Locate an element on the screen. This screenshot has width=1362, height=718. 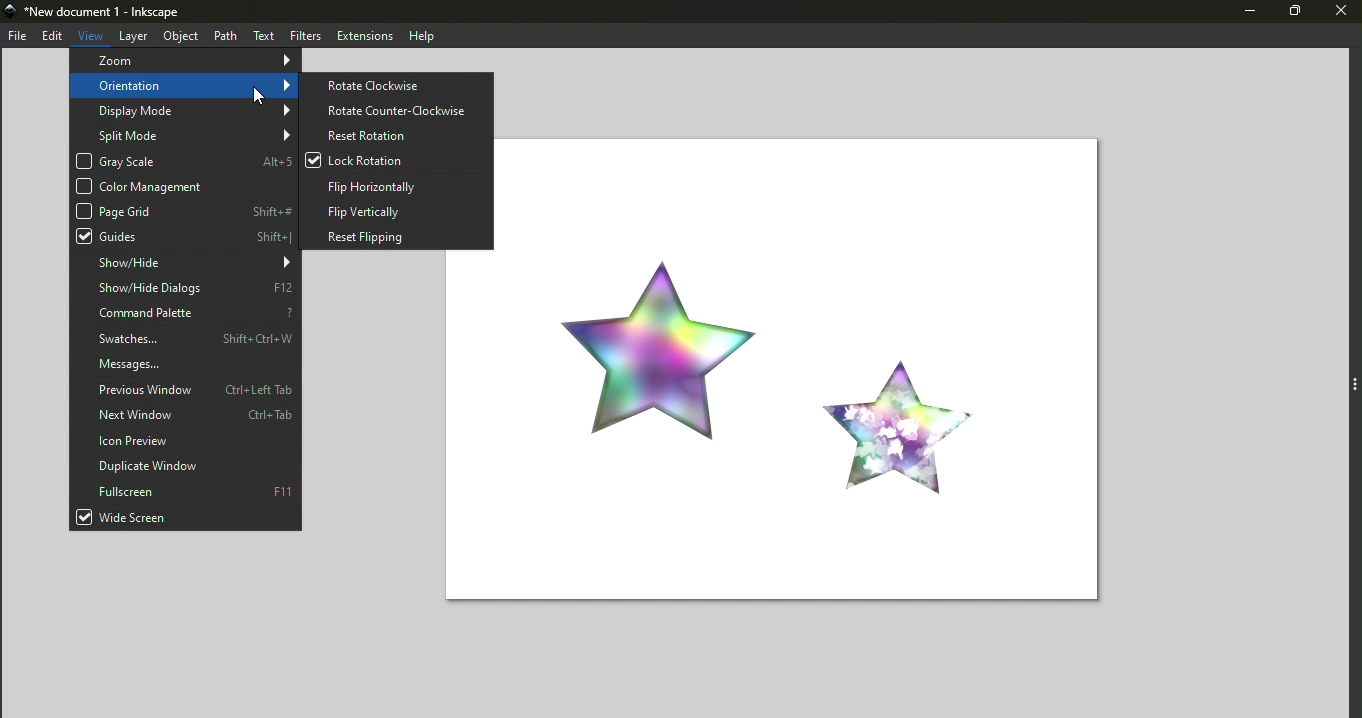
Object is located at coordinates (177, 35).